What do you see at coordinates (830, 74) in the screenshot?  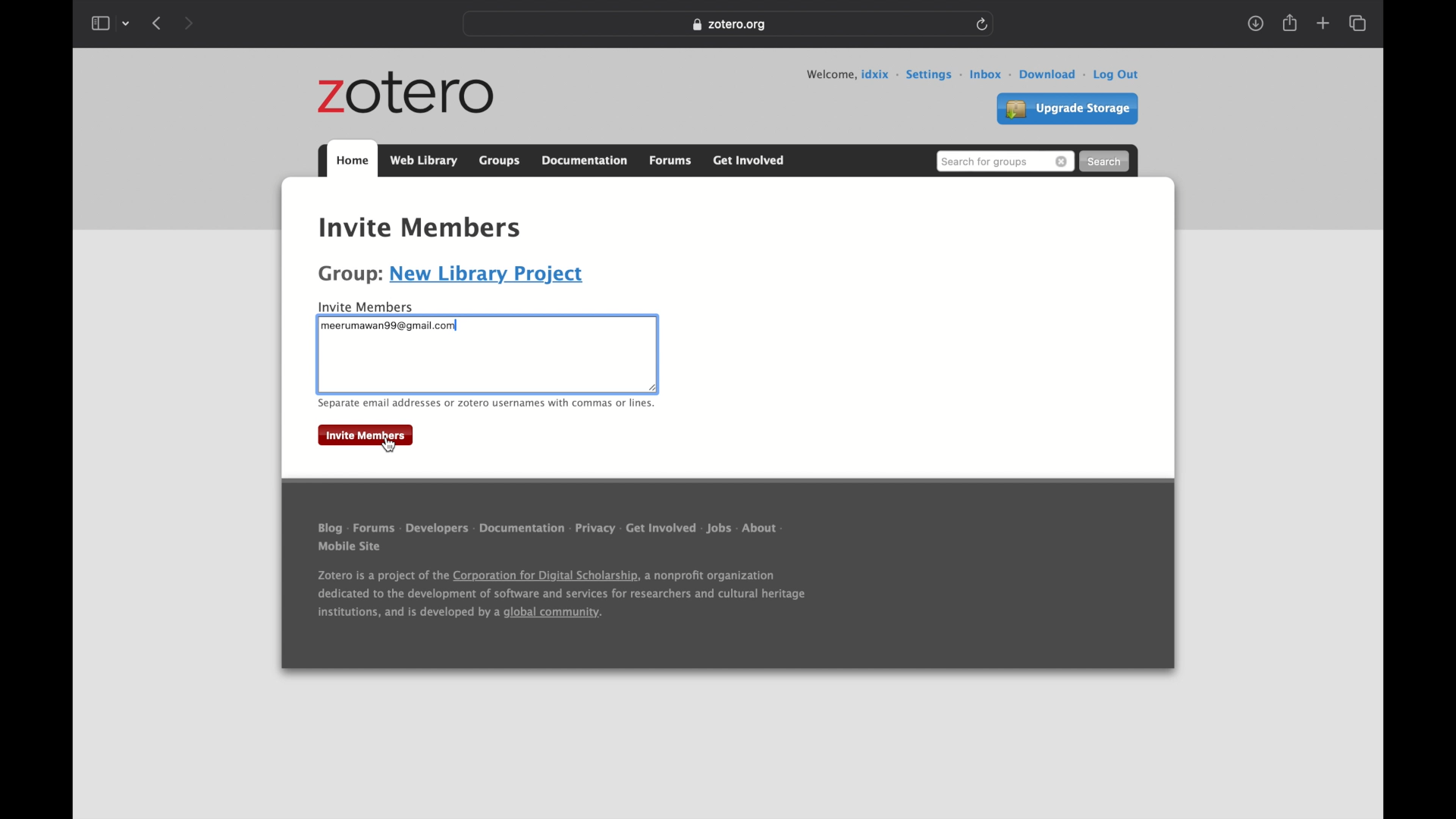 I see `welcome` at bounding box center [830, 74].